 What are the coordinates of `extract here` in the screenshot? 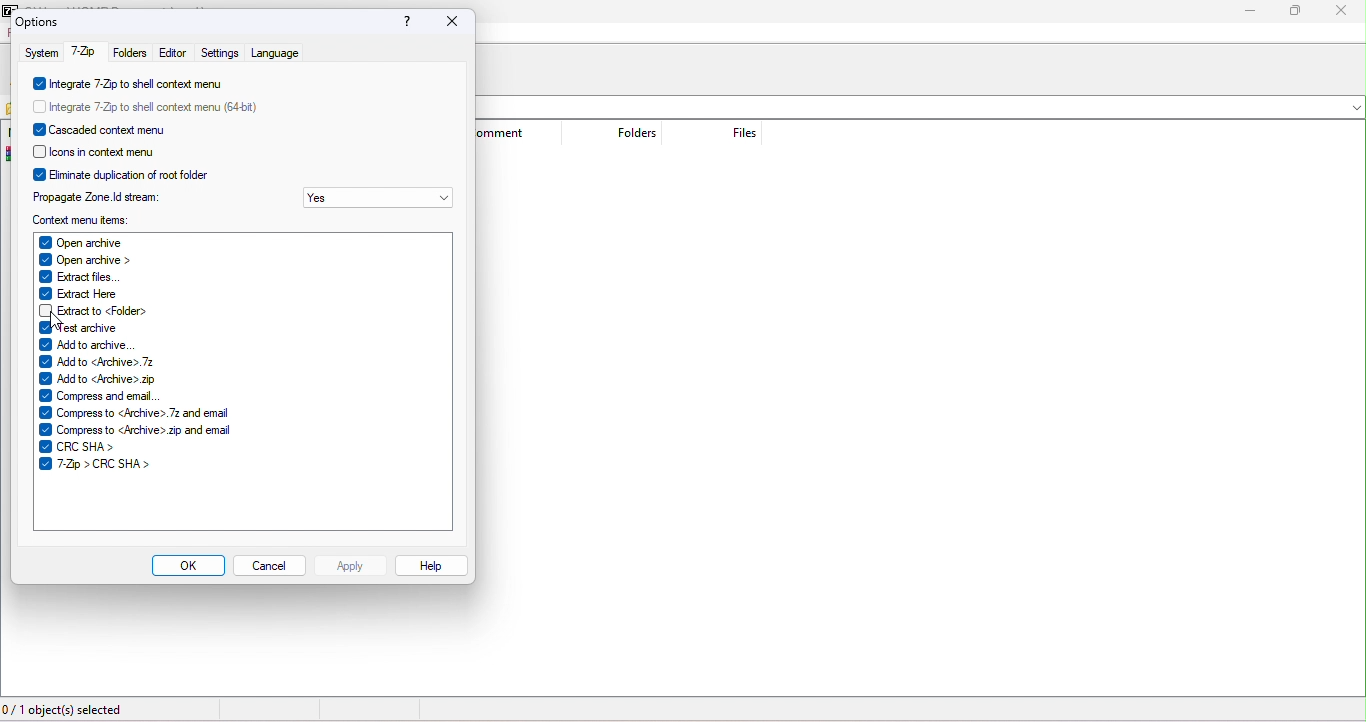 It's located at (88, 293).